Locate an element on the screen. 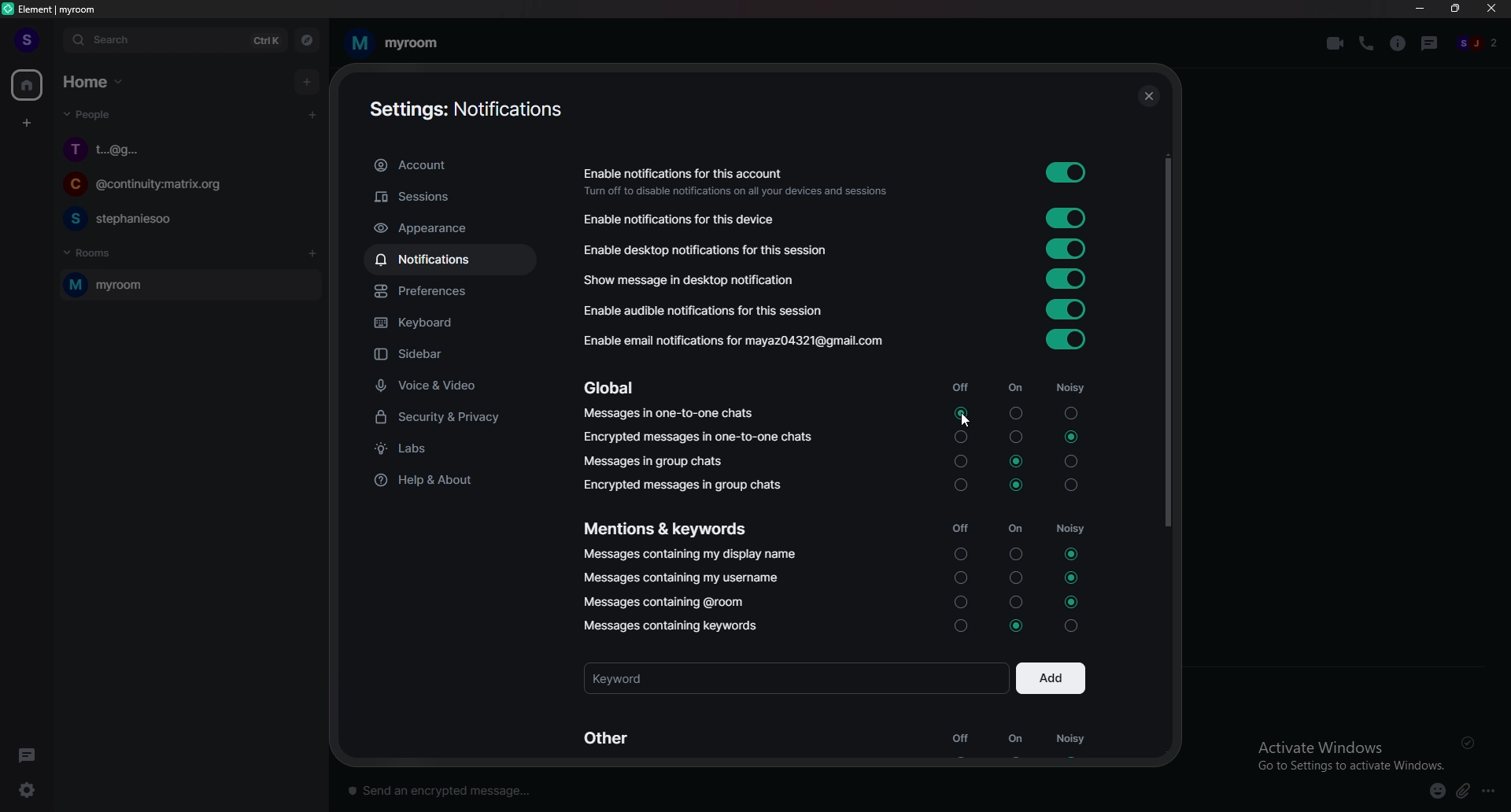 Image resolution: width=1511 pixels, height=812 pixels. enable desktop notifications for this session is located at coordinates (713, 250).